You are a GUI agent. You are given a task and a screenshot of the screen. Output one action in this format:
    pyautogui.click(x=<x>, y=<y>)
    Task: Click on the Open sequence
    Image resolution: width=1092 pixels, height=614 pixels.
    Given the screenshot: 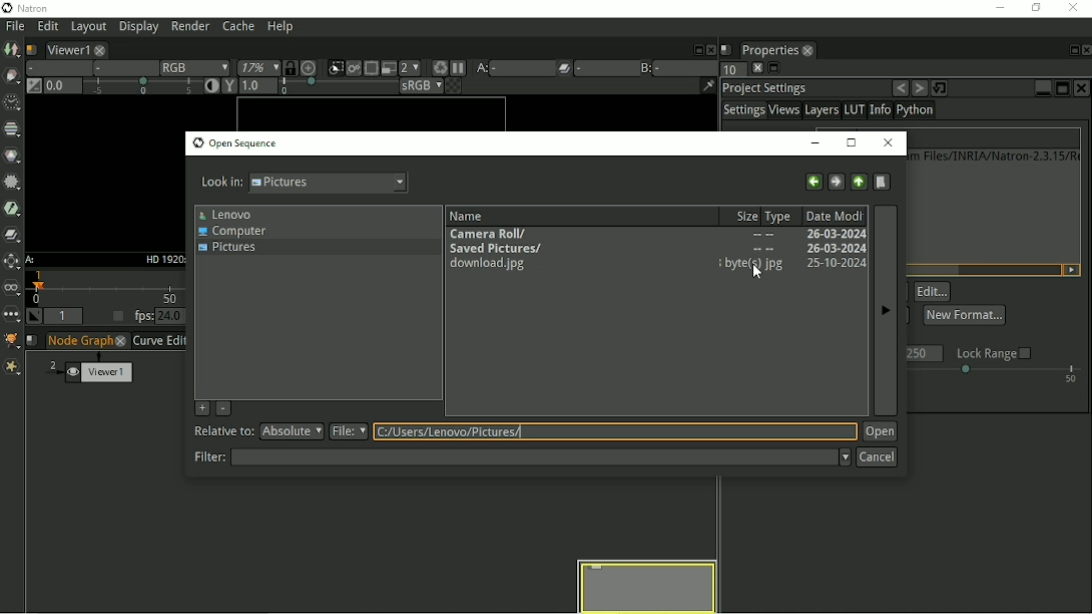 What is the action you would take?
    pyautogui.click(x=235, y=143)
    